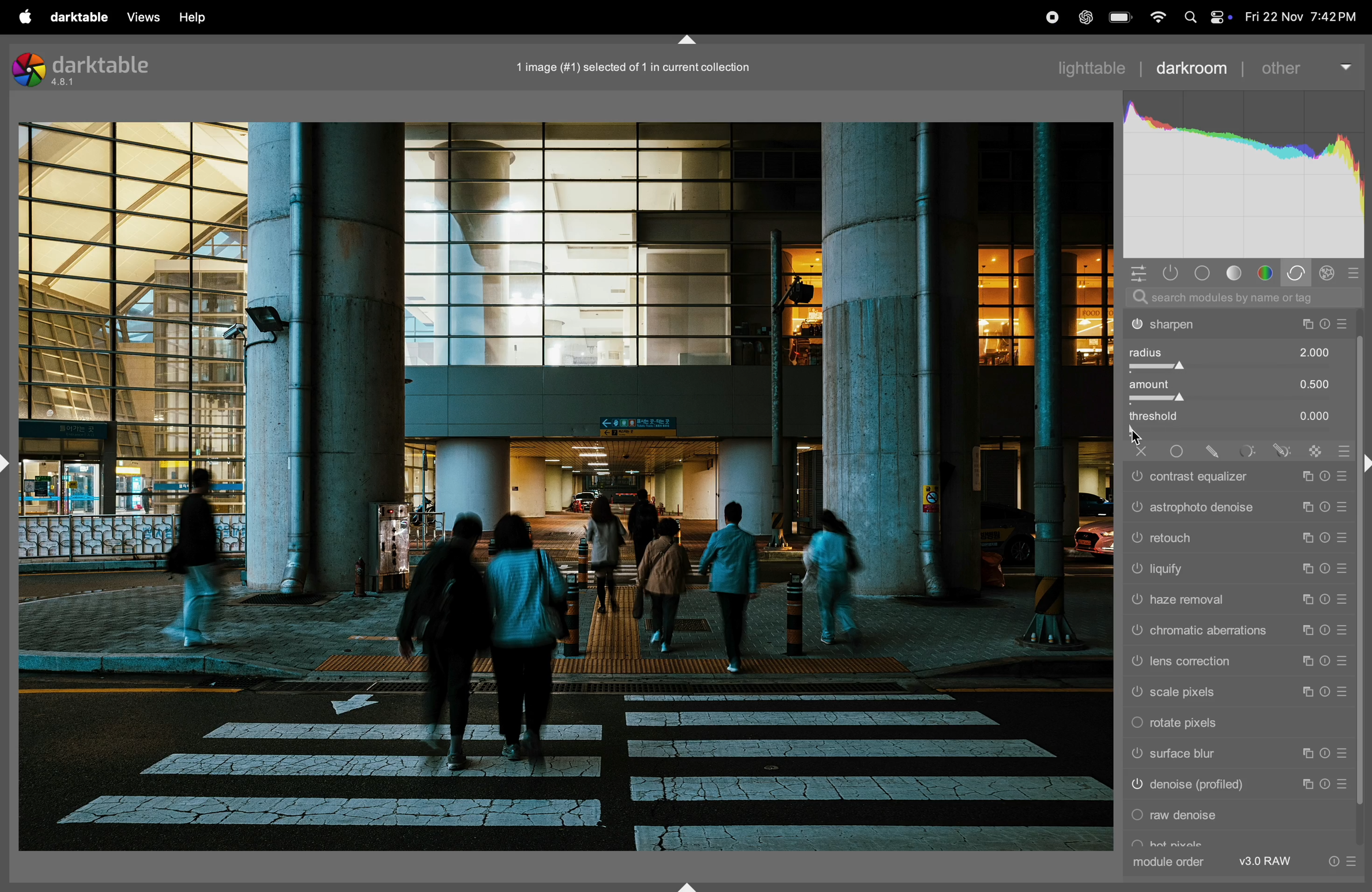 This screenshot has width=1372, height=892. What do you see at coordinates (1237, 662) in the screenshot?
I see `lens correction` at bounding box center [1237, 662].